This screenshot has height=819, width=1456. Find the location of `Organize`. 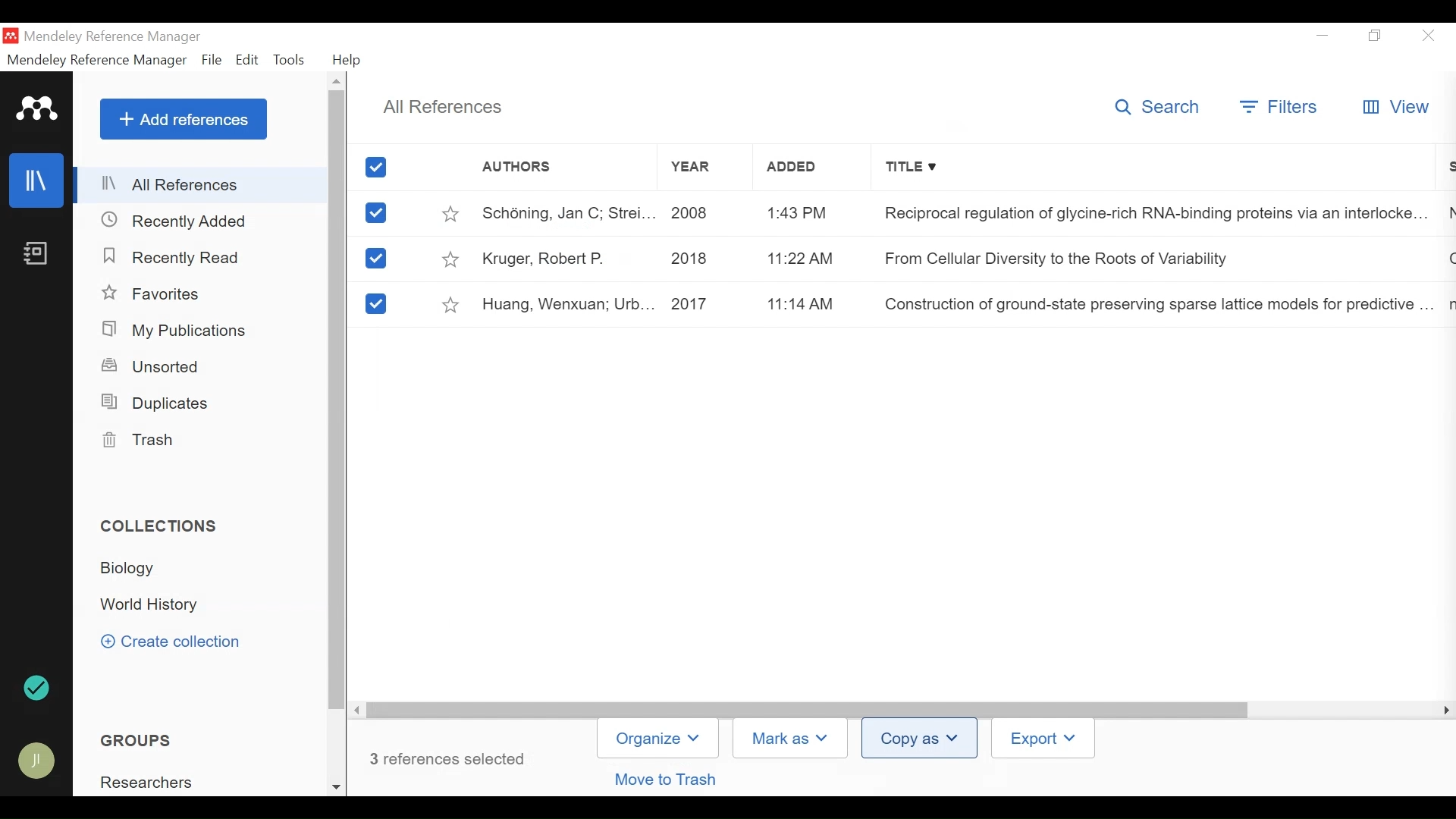

Organize is located at coordinates (657, 739).